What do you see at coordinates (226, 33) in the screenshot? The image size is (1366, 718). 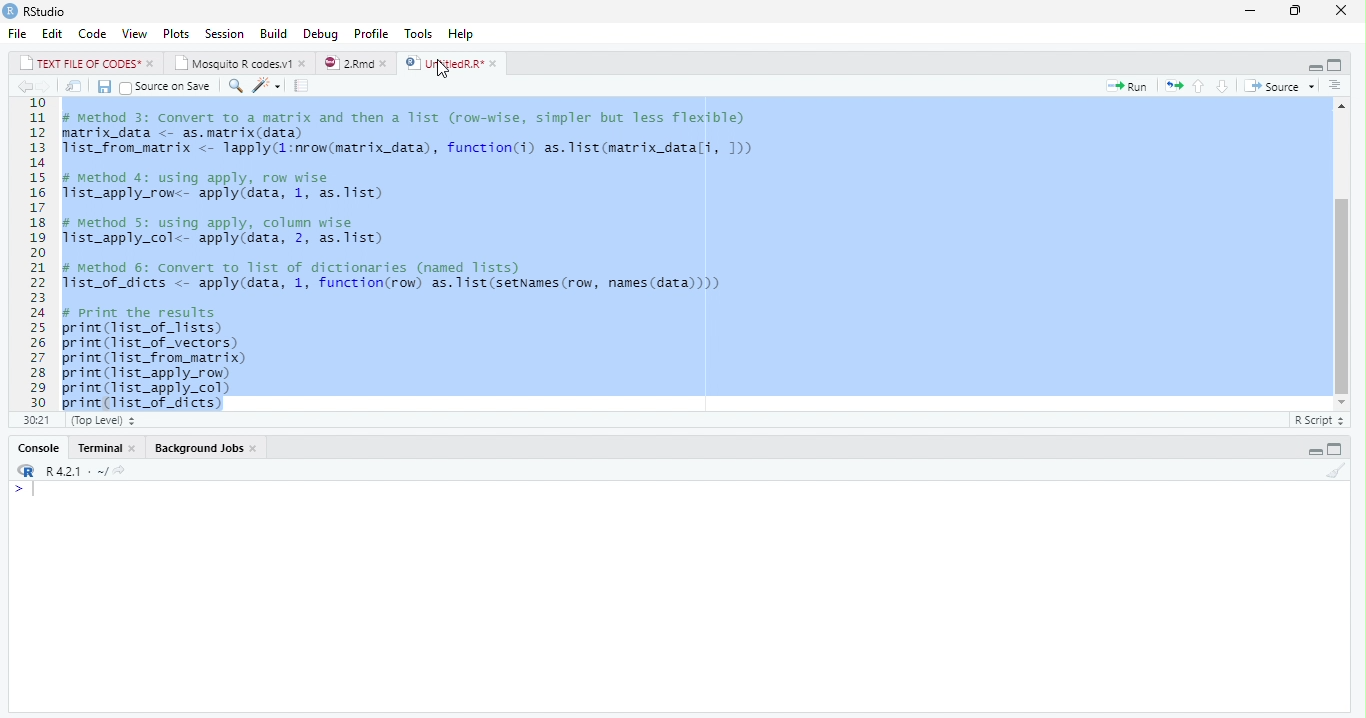 I see `Session` at bounding box center [226, 33].